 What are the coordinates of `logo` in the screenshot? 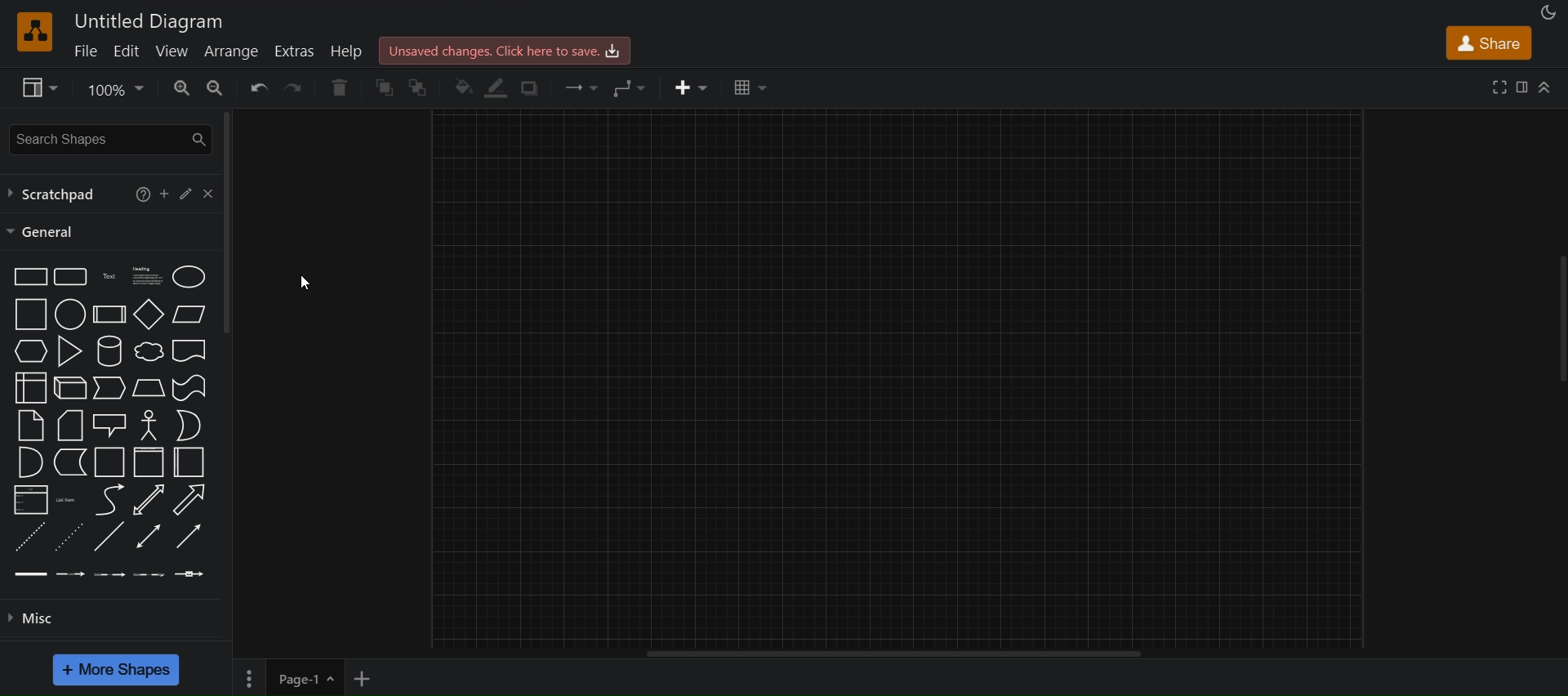 It's located at (33, 30).